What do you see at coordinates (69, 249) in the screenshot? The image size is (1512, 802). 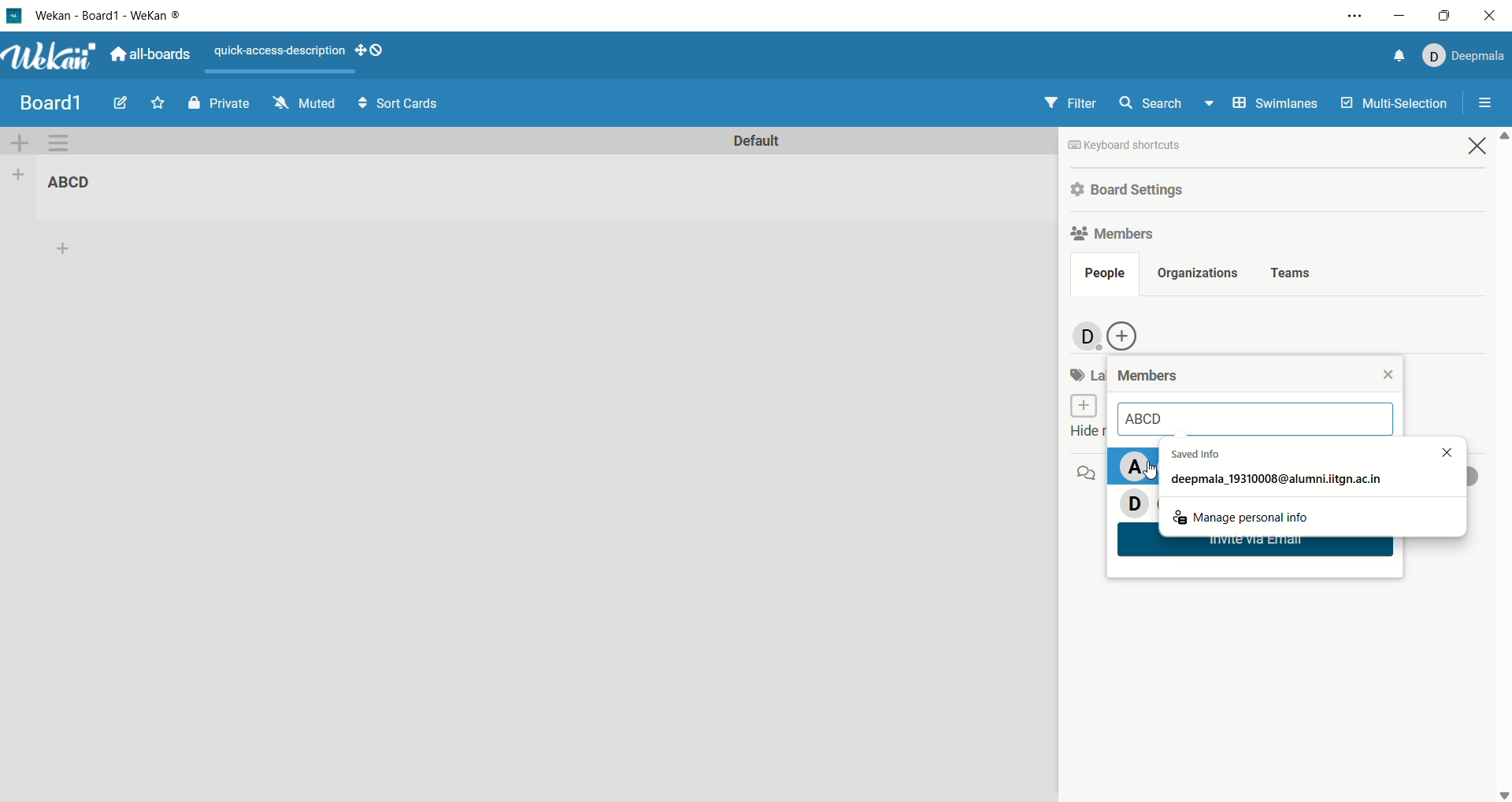 I see `add` at bounding box center [69, 249].